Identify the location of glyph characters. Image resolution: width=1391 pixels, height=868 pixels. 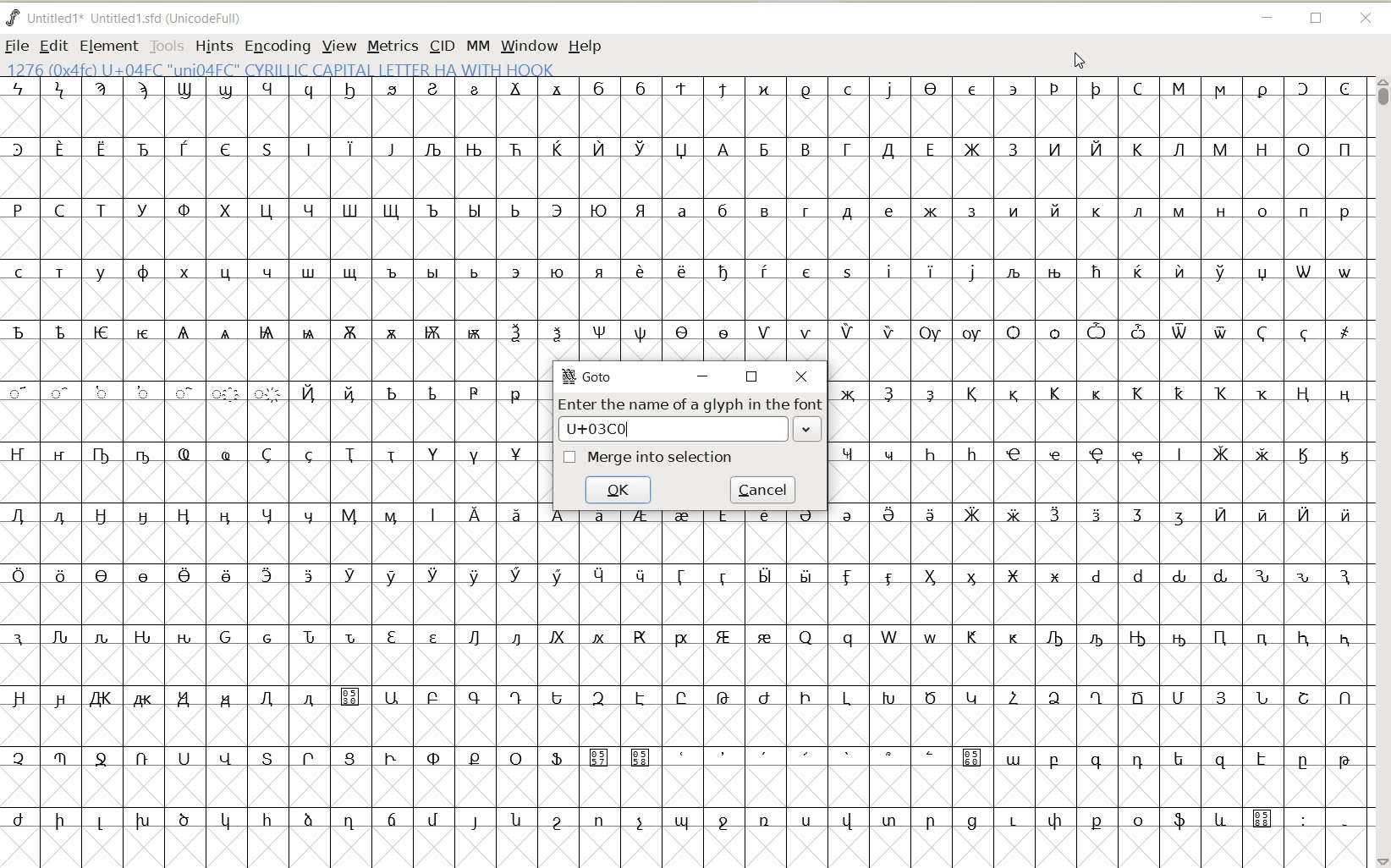
(953, 200).